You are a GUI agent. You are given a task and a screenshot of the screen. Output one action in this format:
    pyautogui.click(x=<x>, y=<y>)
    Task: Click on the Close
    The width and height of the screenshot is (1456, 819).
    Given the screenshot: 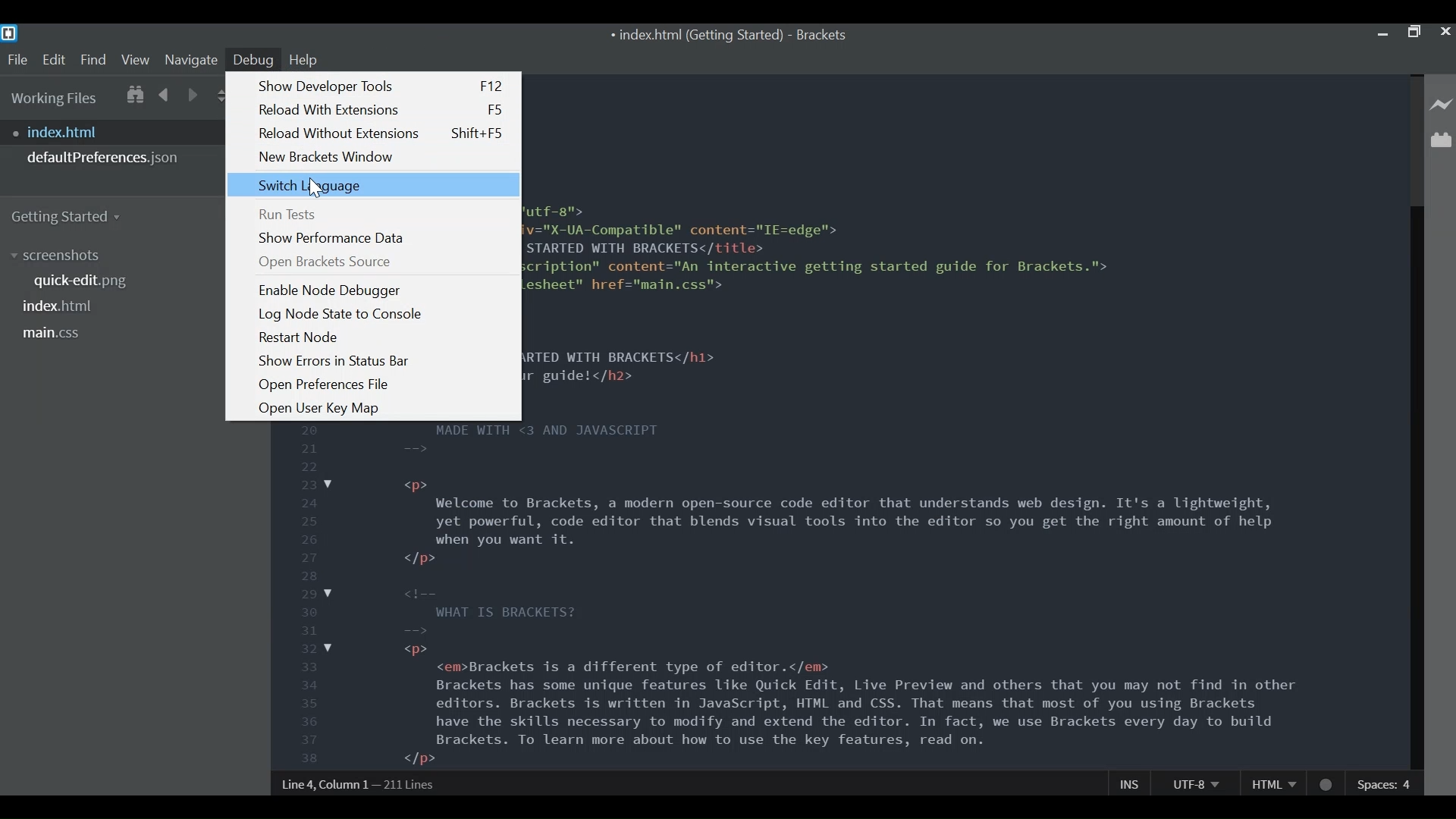 What is the action you would take?
    pyautogui.click(x=1445, y=32)
    